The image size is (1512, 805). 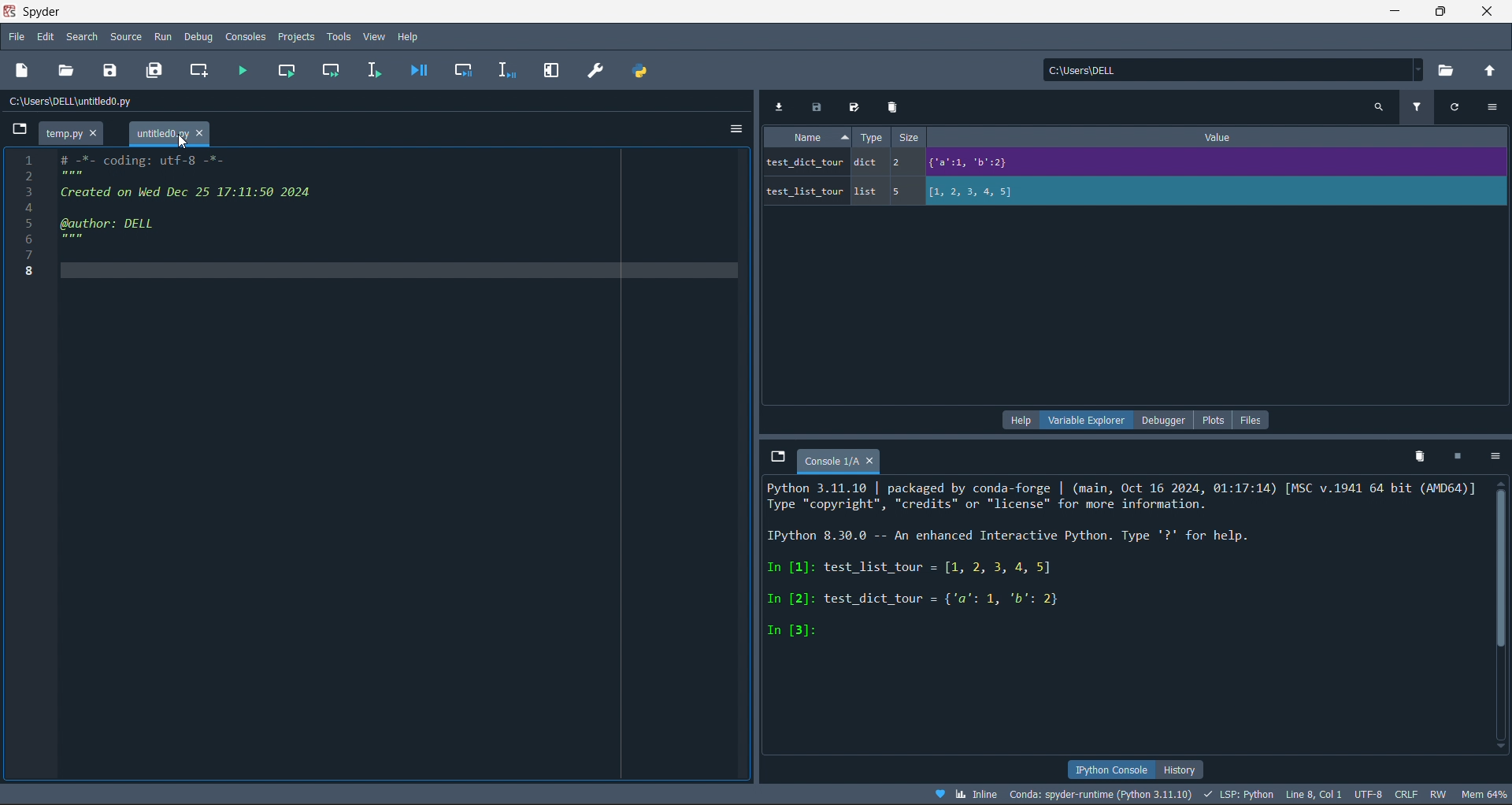 I want to click on untitled0.py , so click(x=172, y=133).